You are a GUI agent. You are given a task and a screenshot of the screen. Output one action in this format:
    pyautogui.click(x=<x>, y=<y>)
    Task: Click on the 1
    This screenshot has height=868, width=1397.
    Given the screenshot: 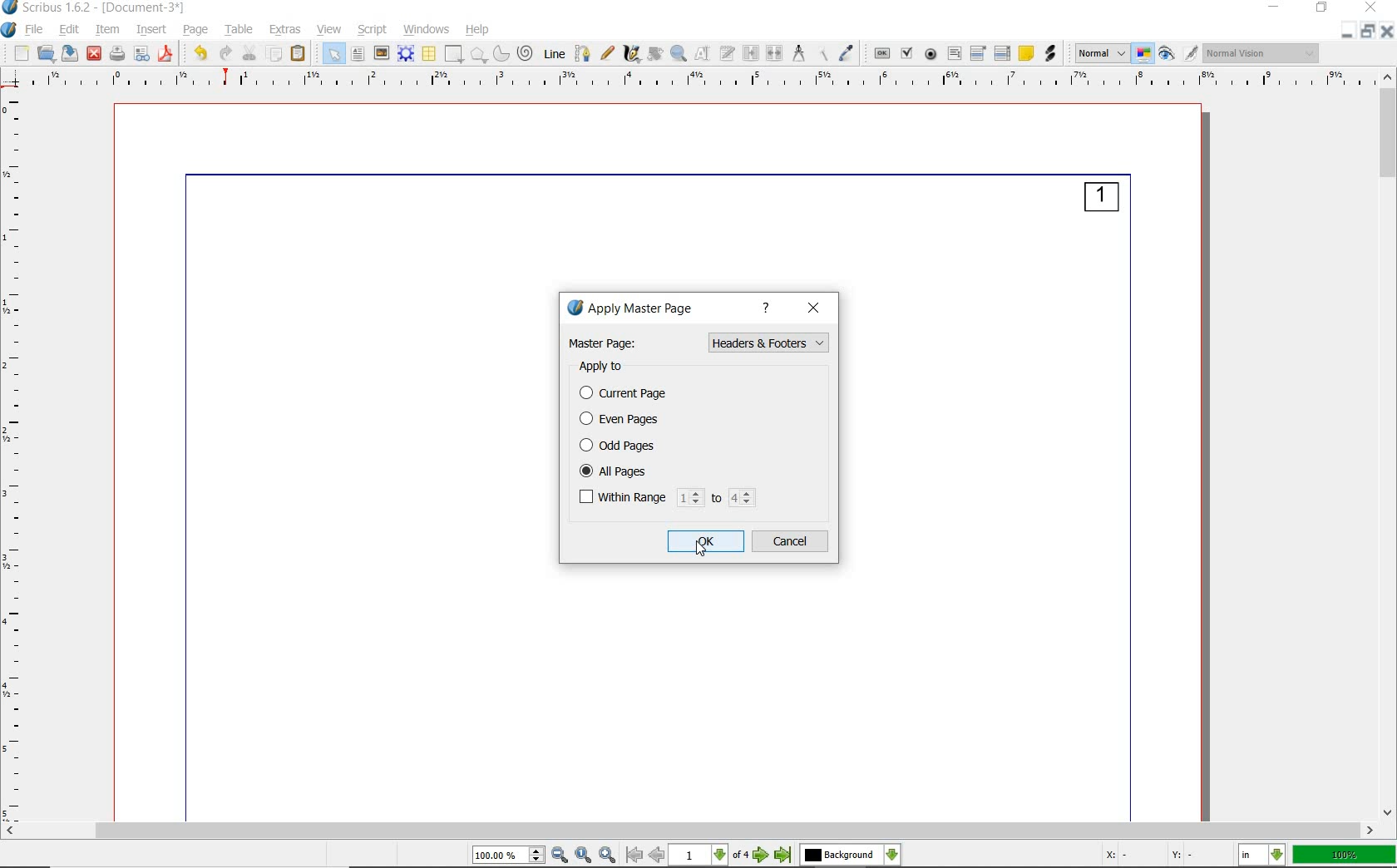 What is the action you would take?
    pyautogui.click(x=1101, y=200)
    